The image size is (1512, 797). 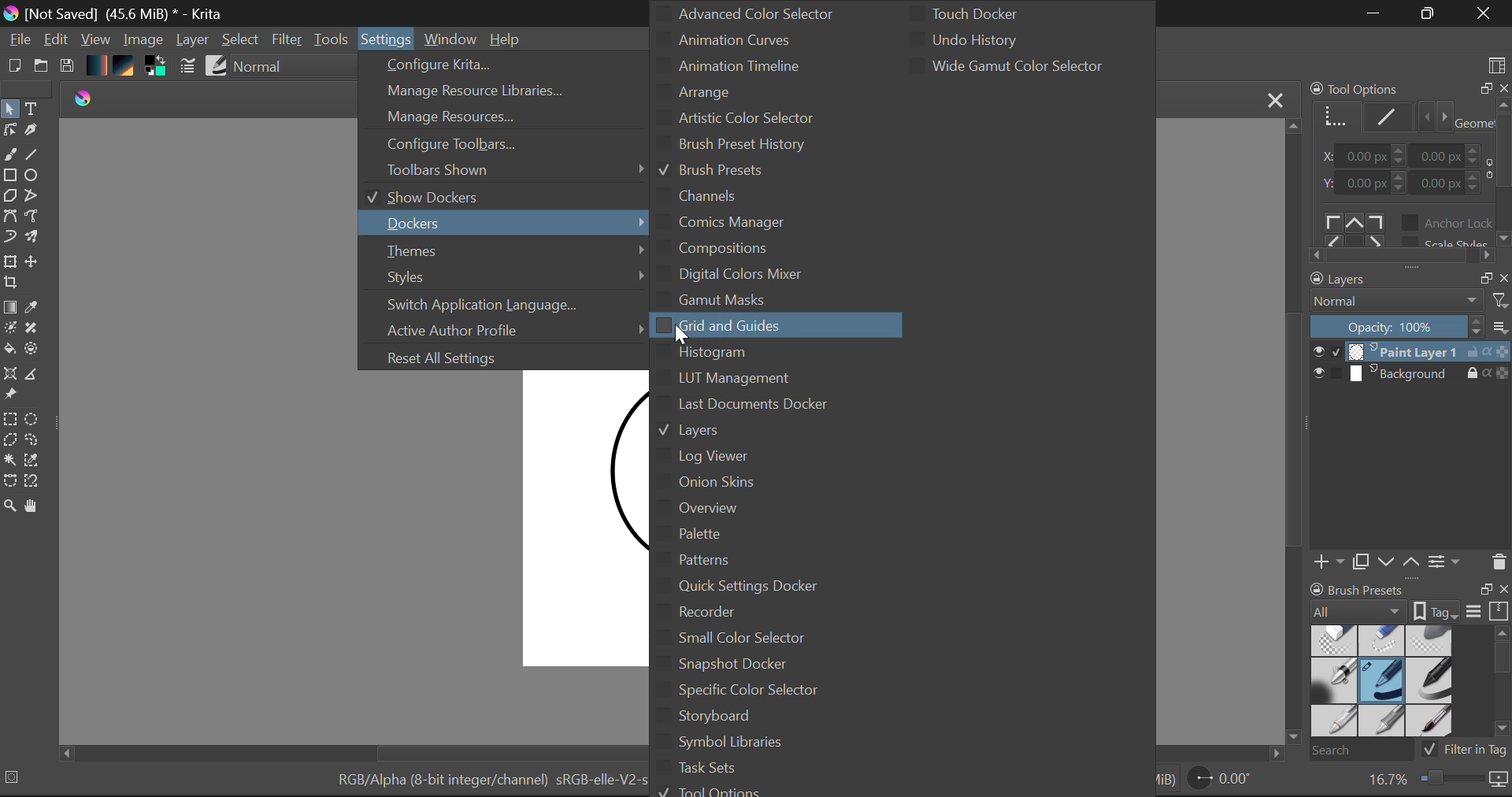 What do you see at coordinates (1502, 682) in the screenshot?
I see `Docket Scroll Bar` at bounding box center [1502, 682].